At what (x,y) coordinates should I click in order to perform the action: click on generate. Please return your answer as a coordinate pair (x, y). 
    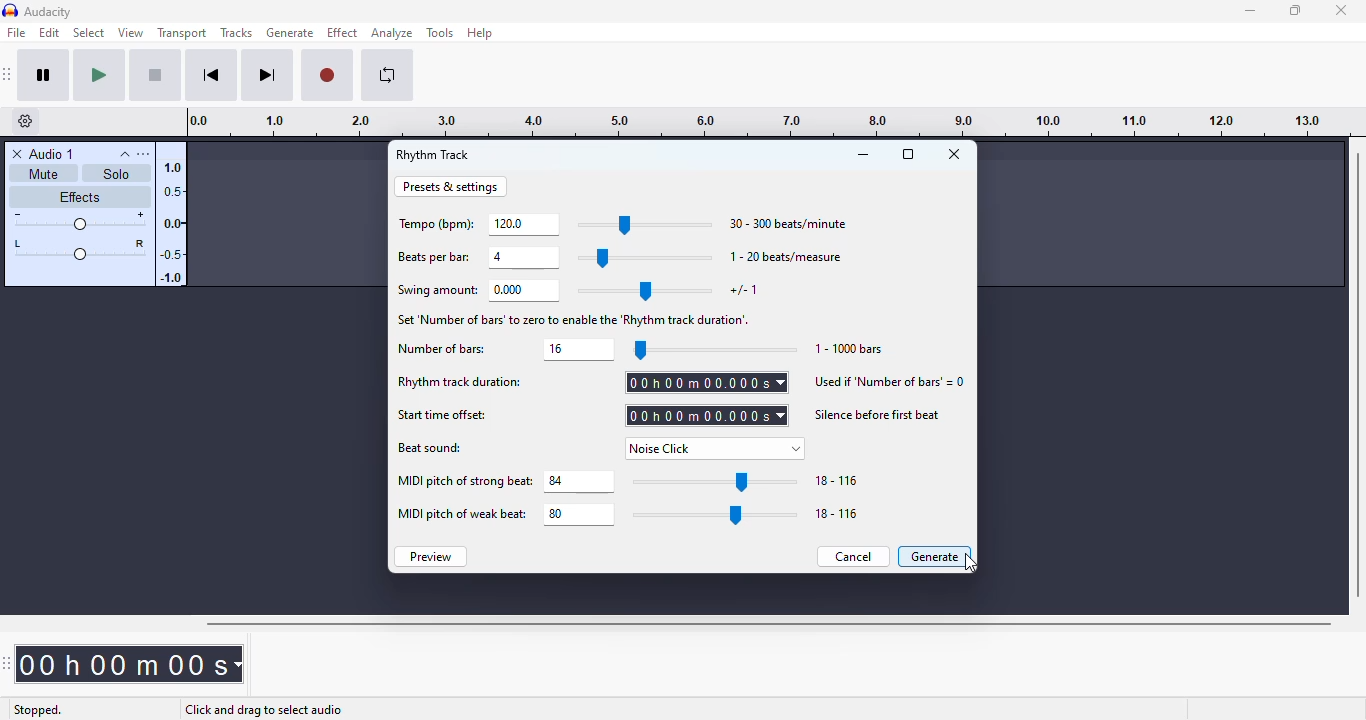
    Looking at the image, I should click on (291, 32).